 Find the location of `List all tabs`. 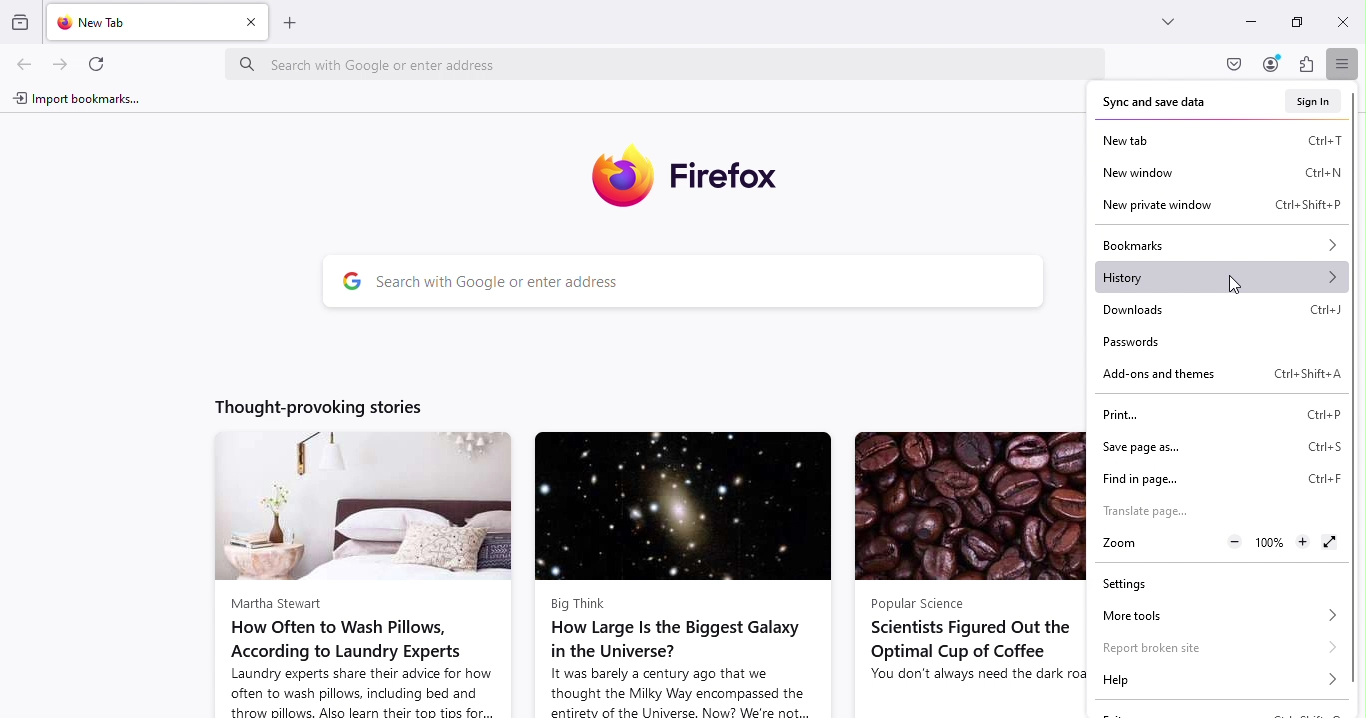

List all tabs is located at coordinates (1170, 24).